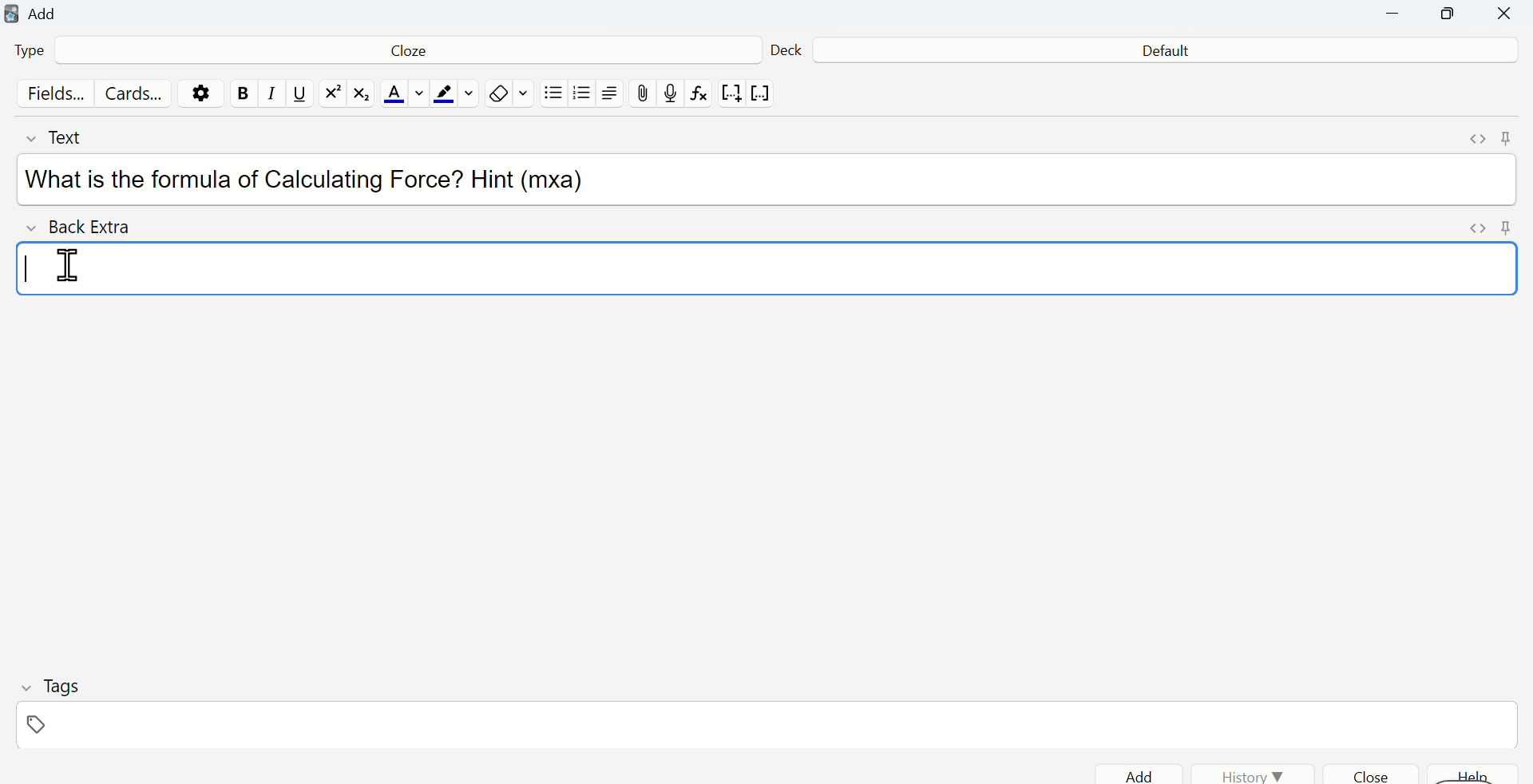 This screenshot has width=1533, height=784. I want to click on Type, so click(38, 53).